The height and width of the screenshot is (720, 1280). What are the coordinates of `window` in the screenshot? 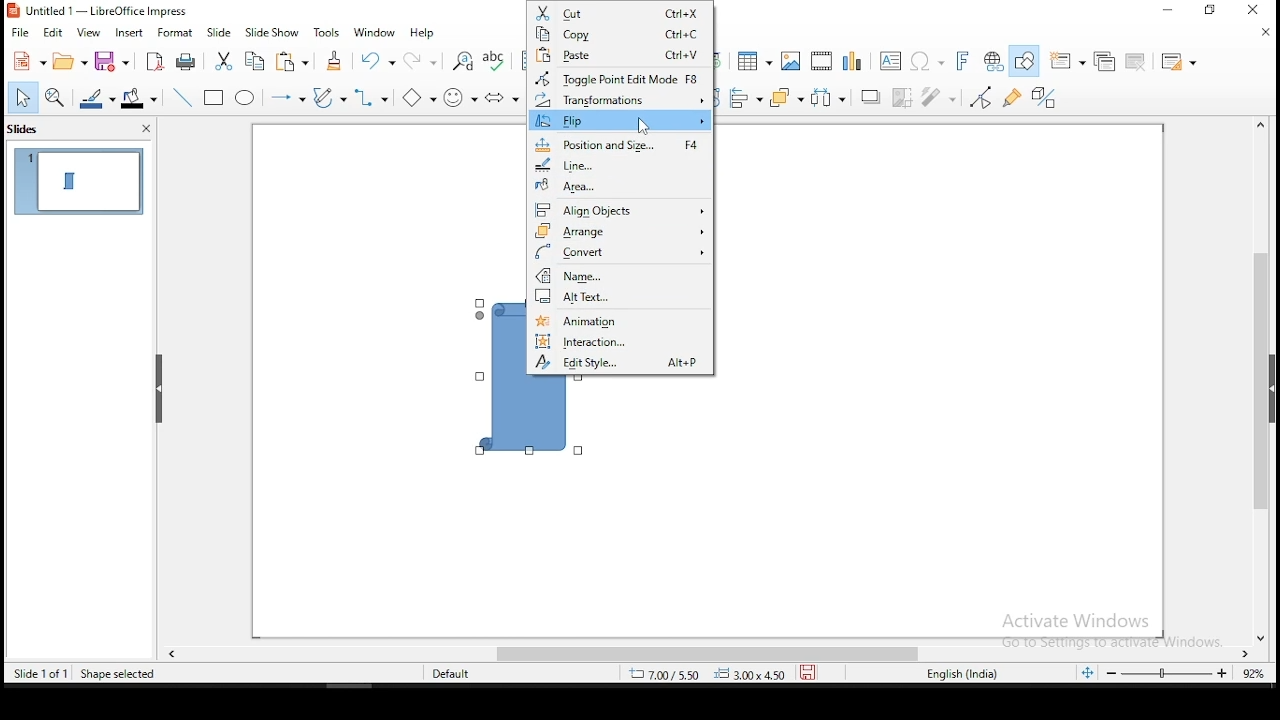 It's located at (375, 32).